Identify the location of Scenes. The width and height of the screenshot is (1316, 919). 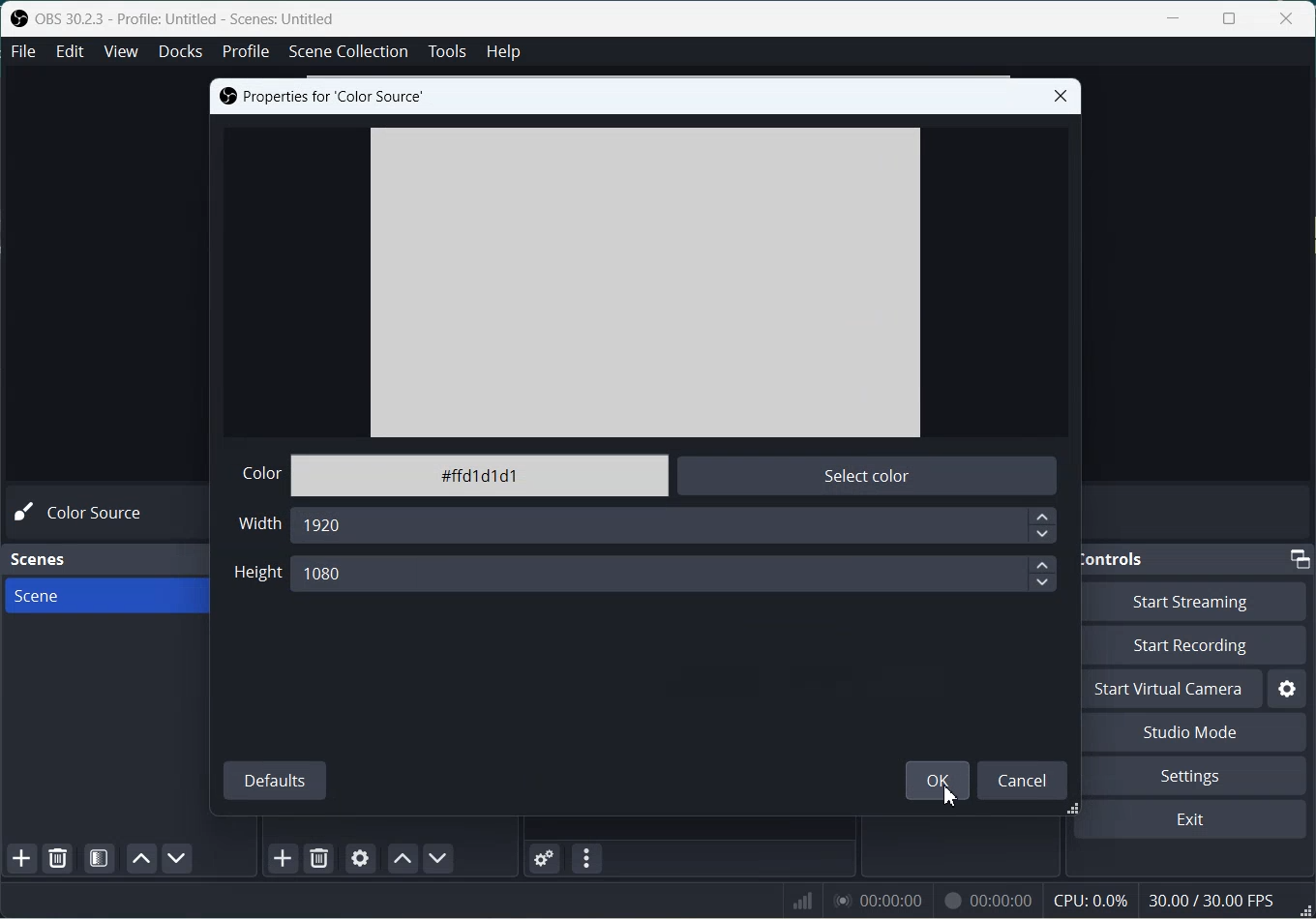
(47, 560).